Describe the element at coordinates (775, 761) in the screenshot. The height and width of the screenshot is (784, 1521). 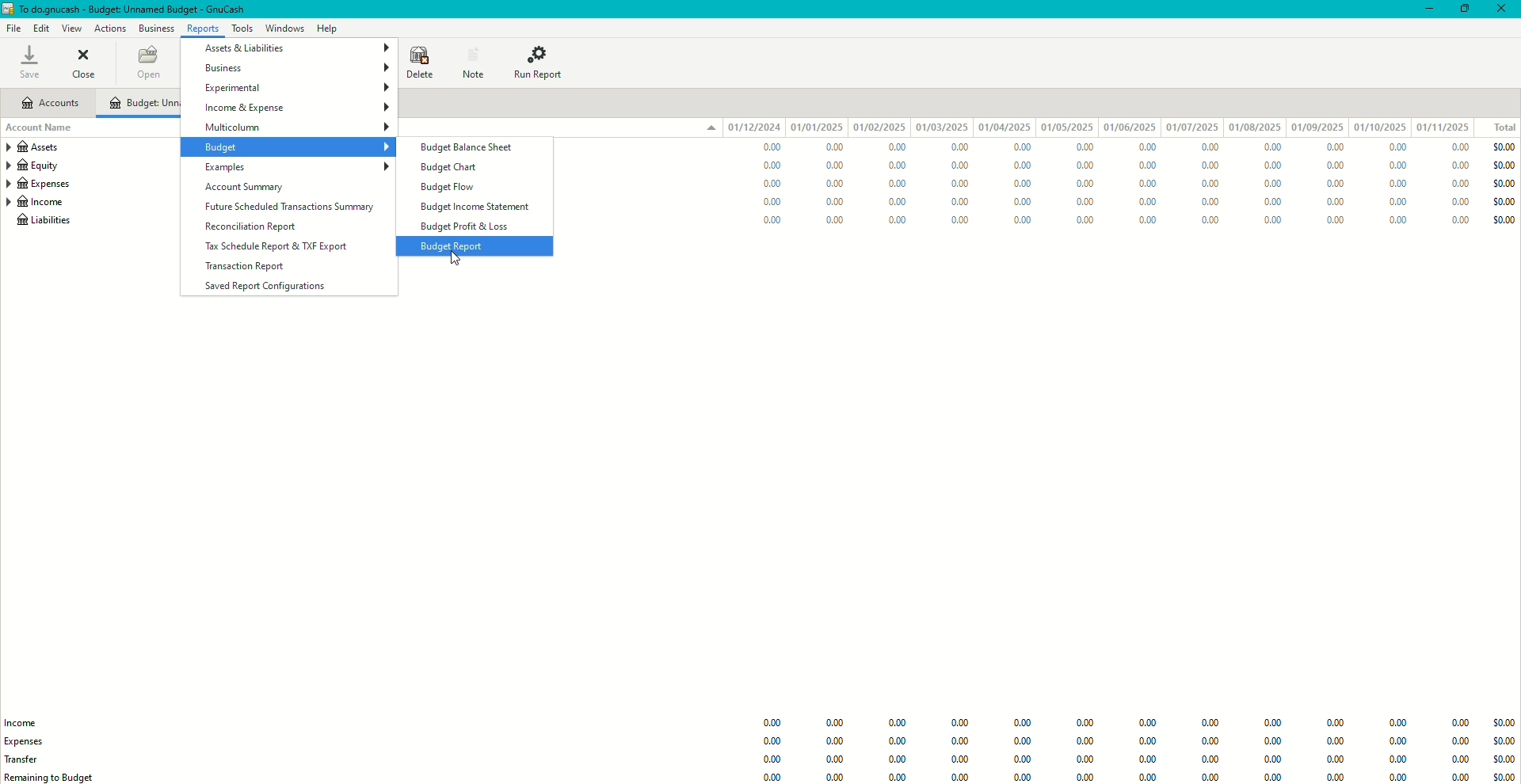
I see `0.00` at that location.